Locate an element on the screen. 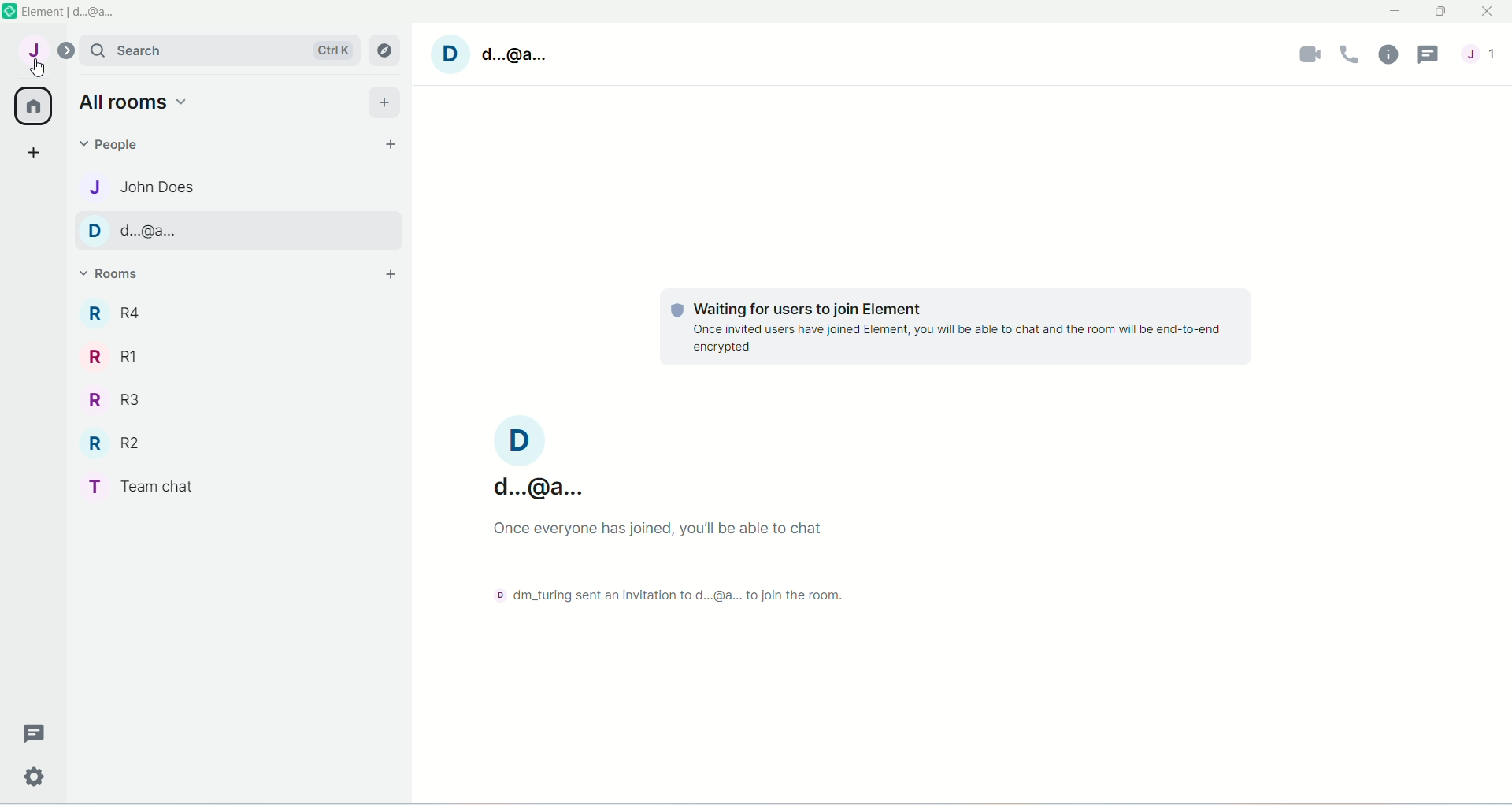 The width and height of the screenshot is (1512, 805). Add room is located at coordinates (390, 274).